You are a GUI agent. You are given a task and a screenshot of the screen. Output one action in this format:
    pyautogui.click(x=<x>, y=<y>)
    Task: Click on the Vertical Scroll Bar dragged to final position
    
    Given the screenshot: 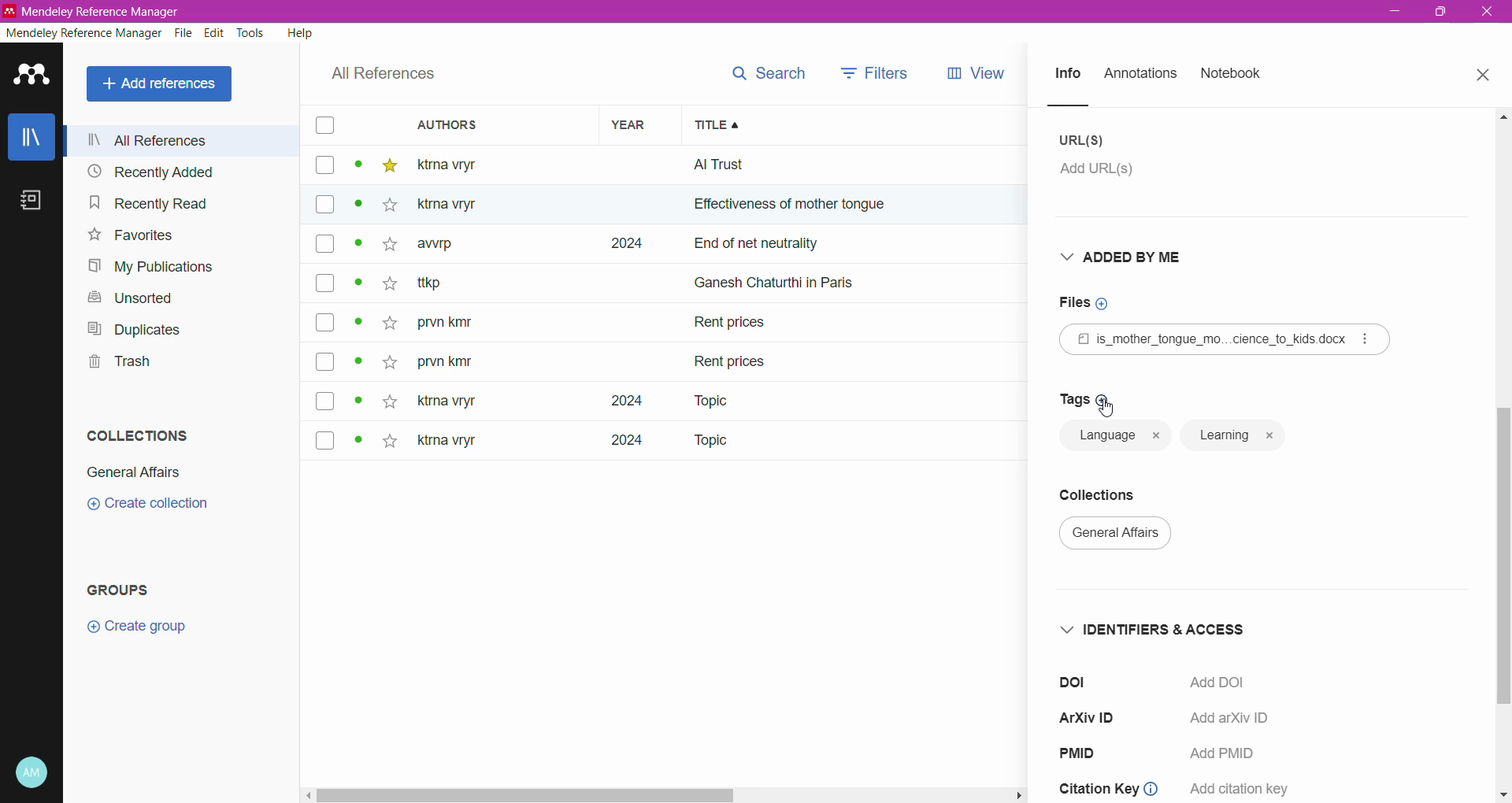 What is the action you would take?
    pyautogui.click(x=1503, y=455)
    